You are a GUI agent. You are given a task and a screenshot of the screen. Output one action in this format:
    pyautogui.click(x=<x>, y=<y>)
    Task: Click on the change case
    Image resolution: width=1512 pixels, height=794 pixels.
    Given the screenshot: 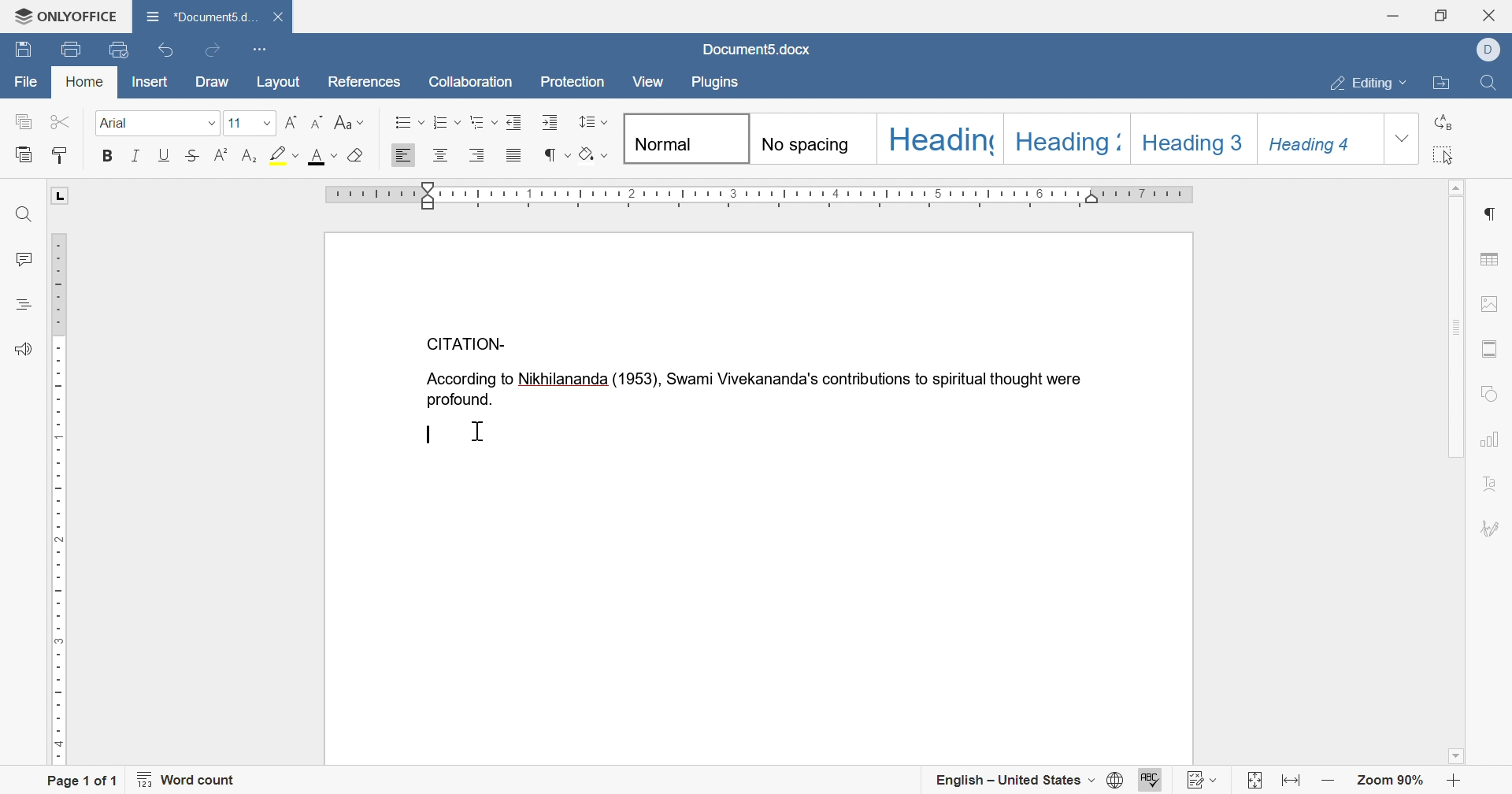 What is the action you would take?
    pyautogui.click(x=351, y=122)
    